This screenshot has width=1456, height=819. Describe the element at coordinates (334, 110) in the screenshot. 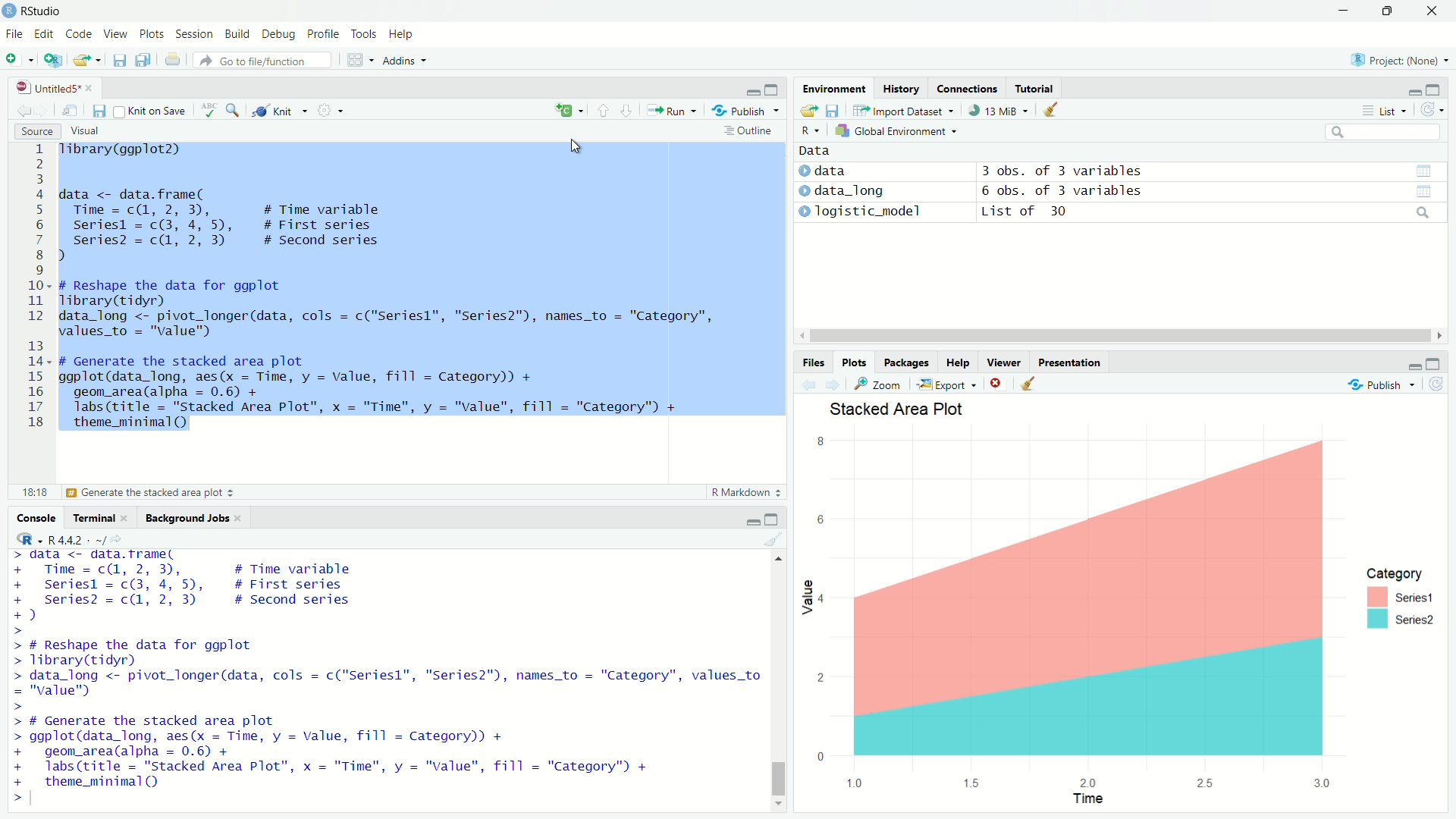

I see `settings` at that location.